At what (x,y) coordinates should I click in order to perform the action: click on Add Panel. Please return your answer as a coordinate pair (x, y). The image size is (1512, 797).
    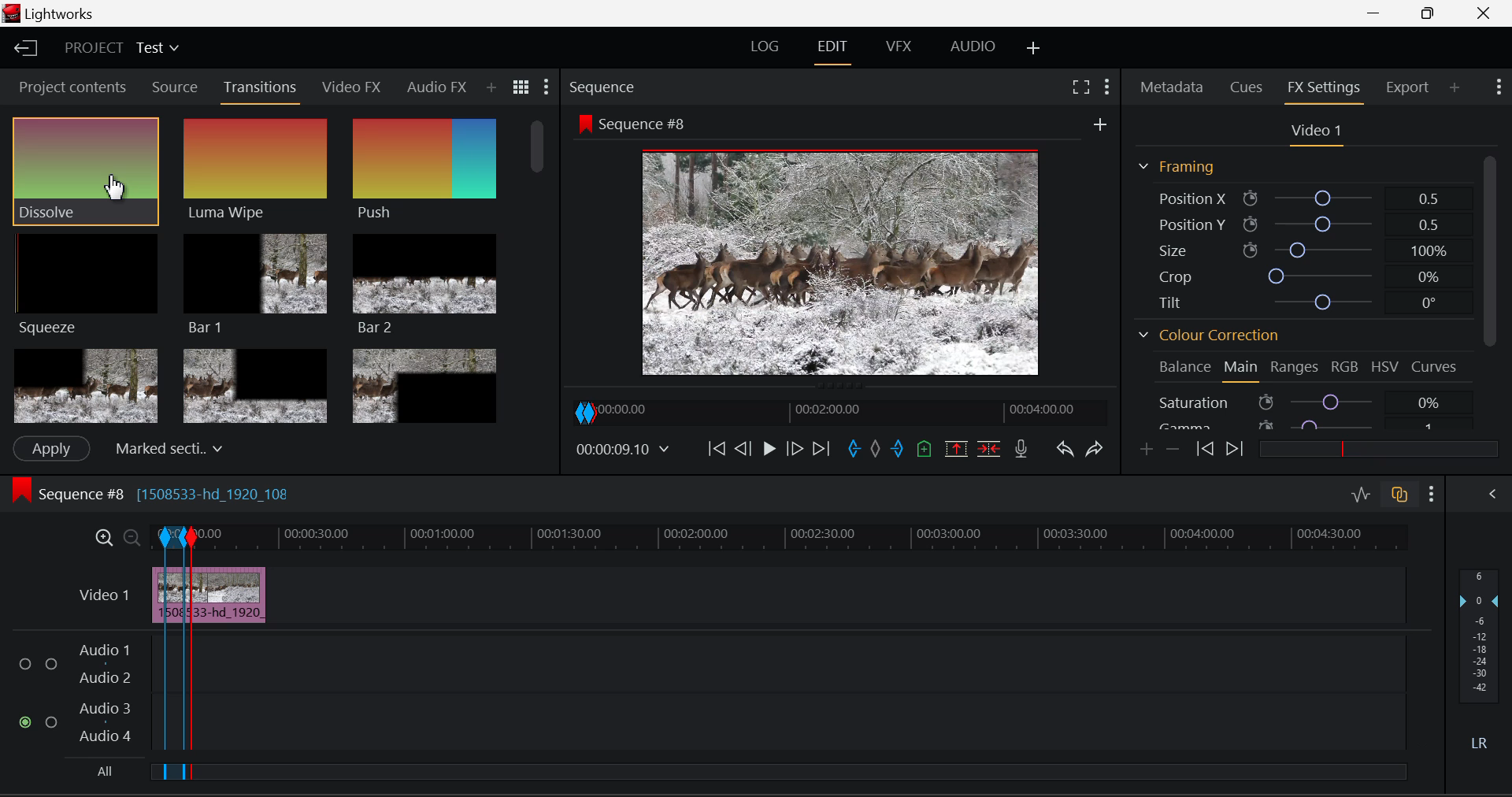
    Looking at the image, I should click on (1455, 88).